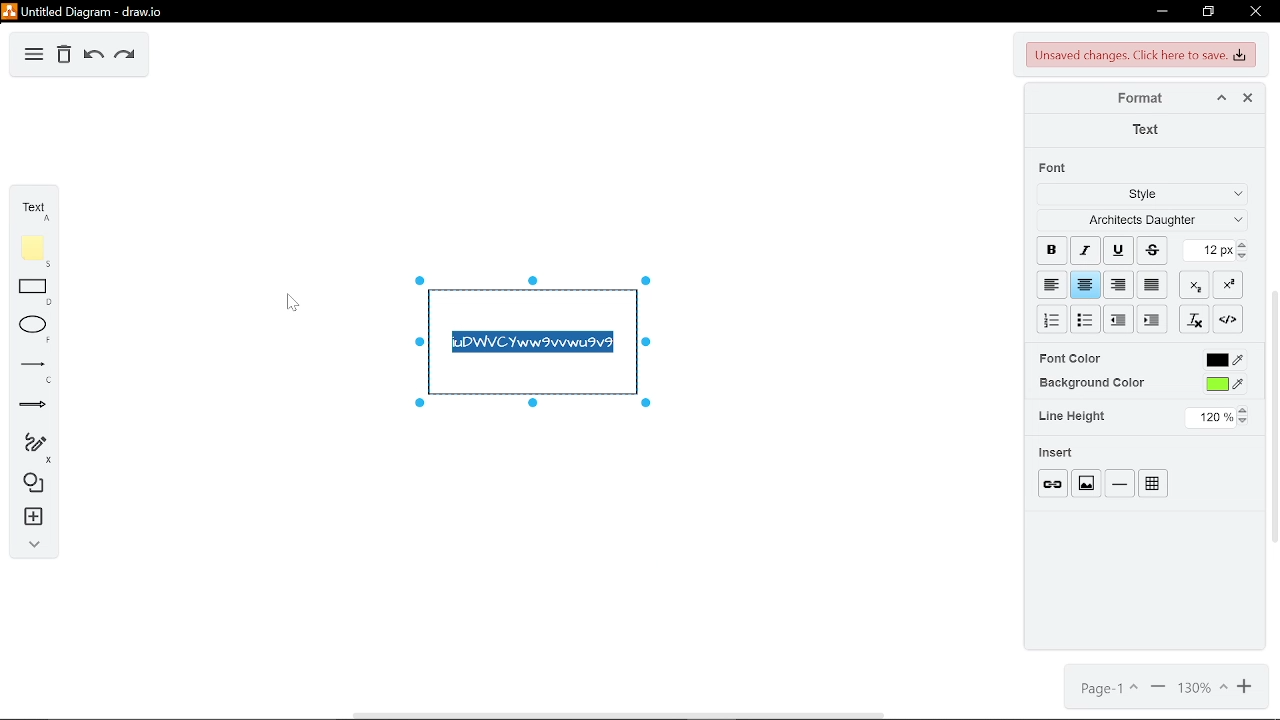 Image resolution: width=1280 pixels, height=720 pixels. I want to click on 130%, so click(1199, 690).